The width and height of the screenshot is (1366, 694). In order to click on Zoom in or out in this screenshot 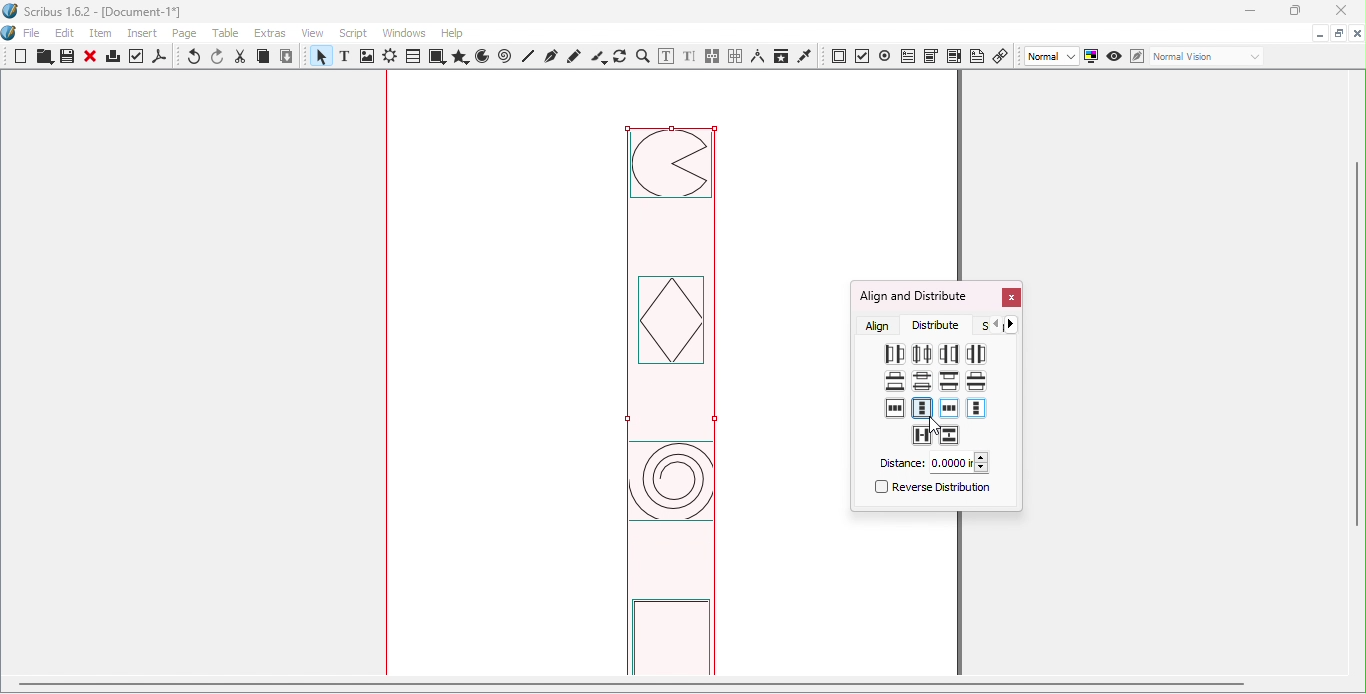, I will do `click(642, 56)`.